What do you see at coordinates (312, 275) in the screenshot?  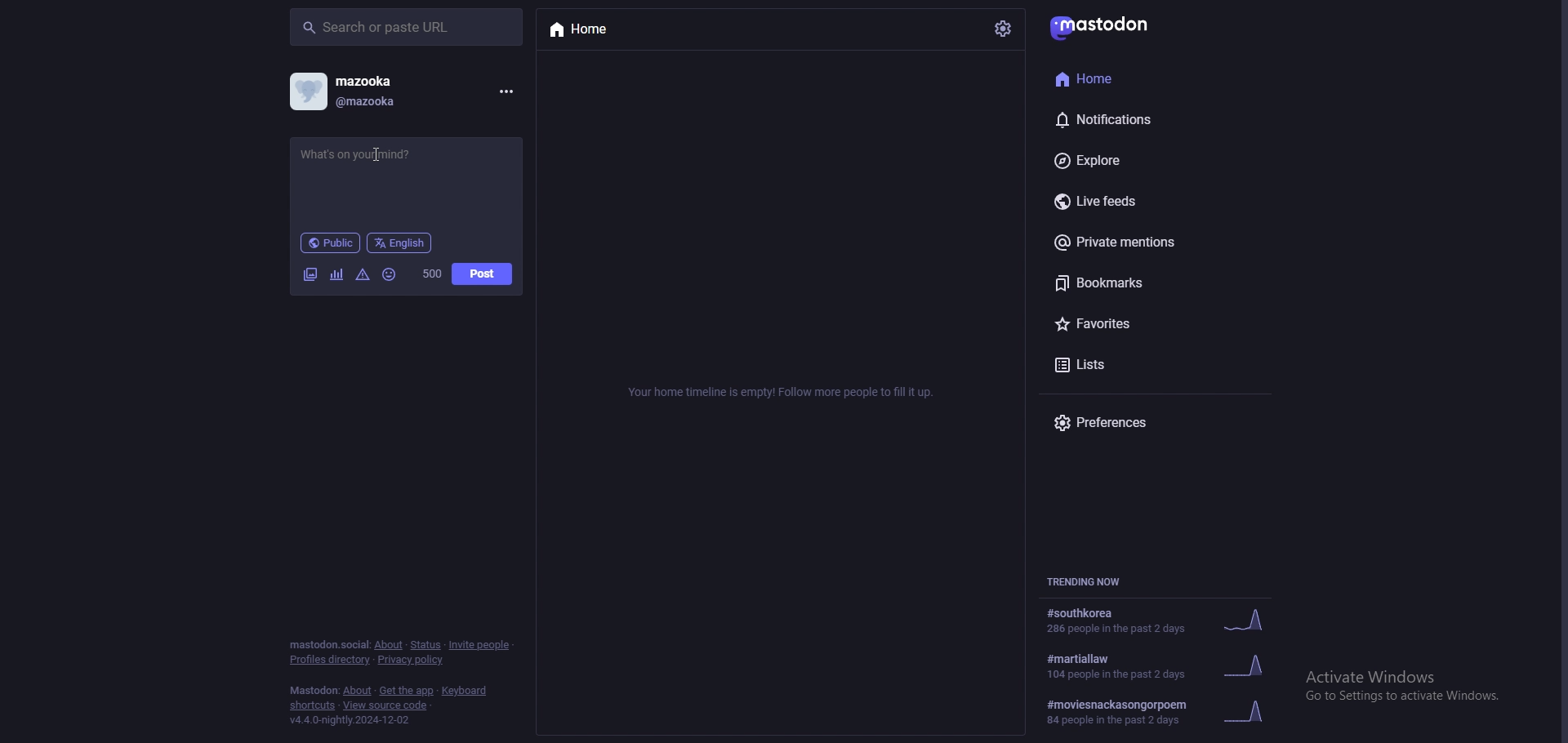 I see `images` at bounding box center [312, 275].